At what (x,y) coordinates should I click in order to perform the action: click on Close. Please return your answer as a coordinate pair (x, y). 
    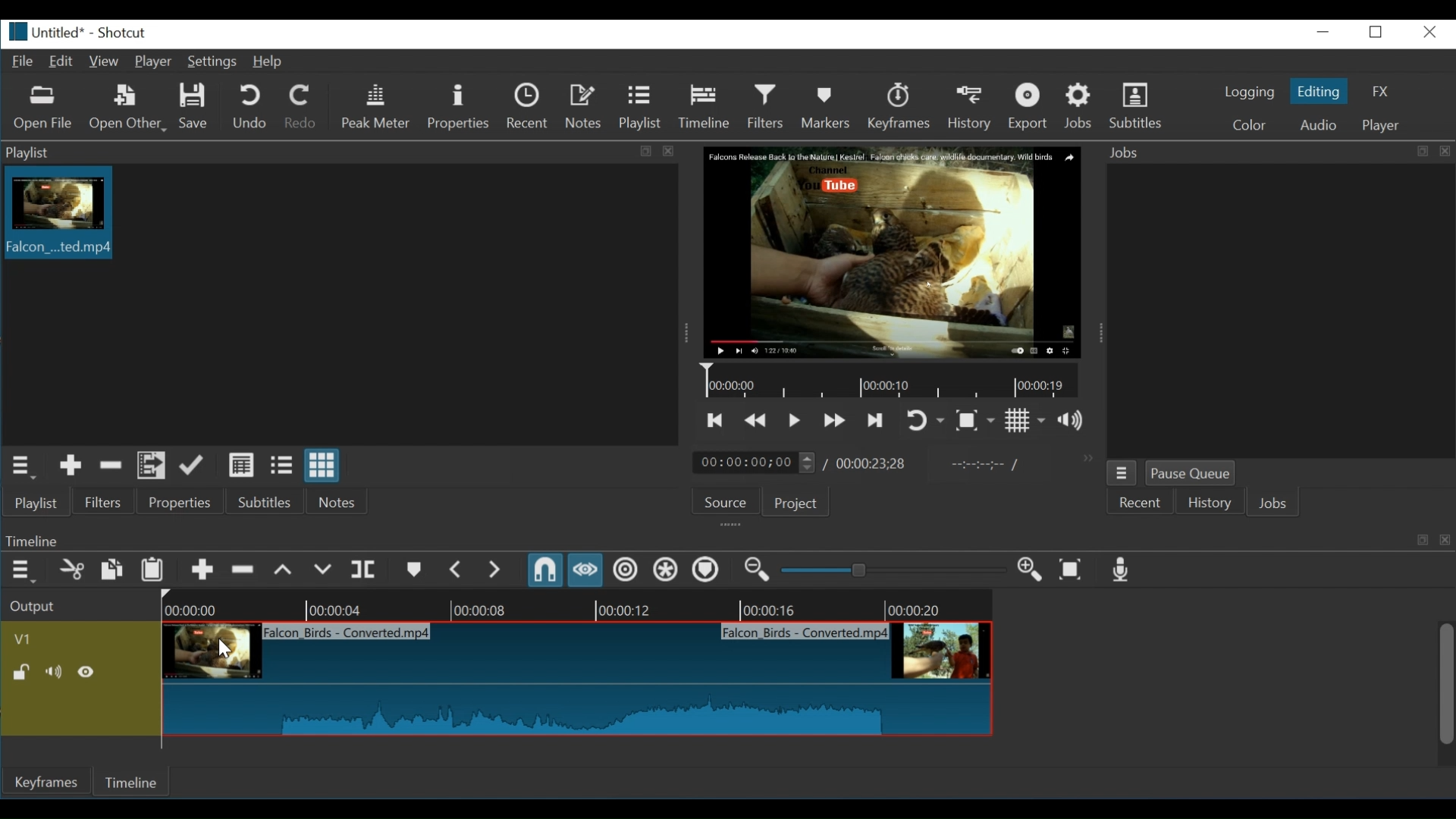
    Looking at the image, I should click on (1427, 32).